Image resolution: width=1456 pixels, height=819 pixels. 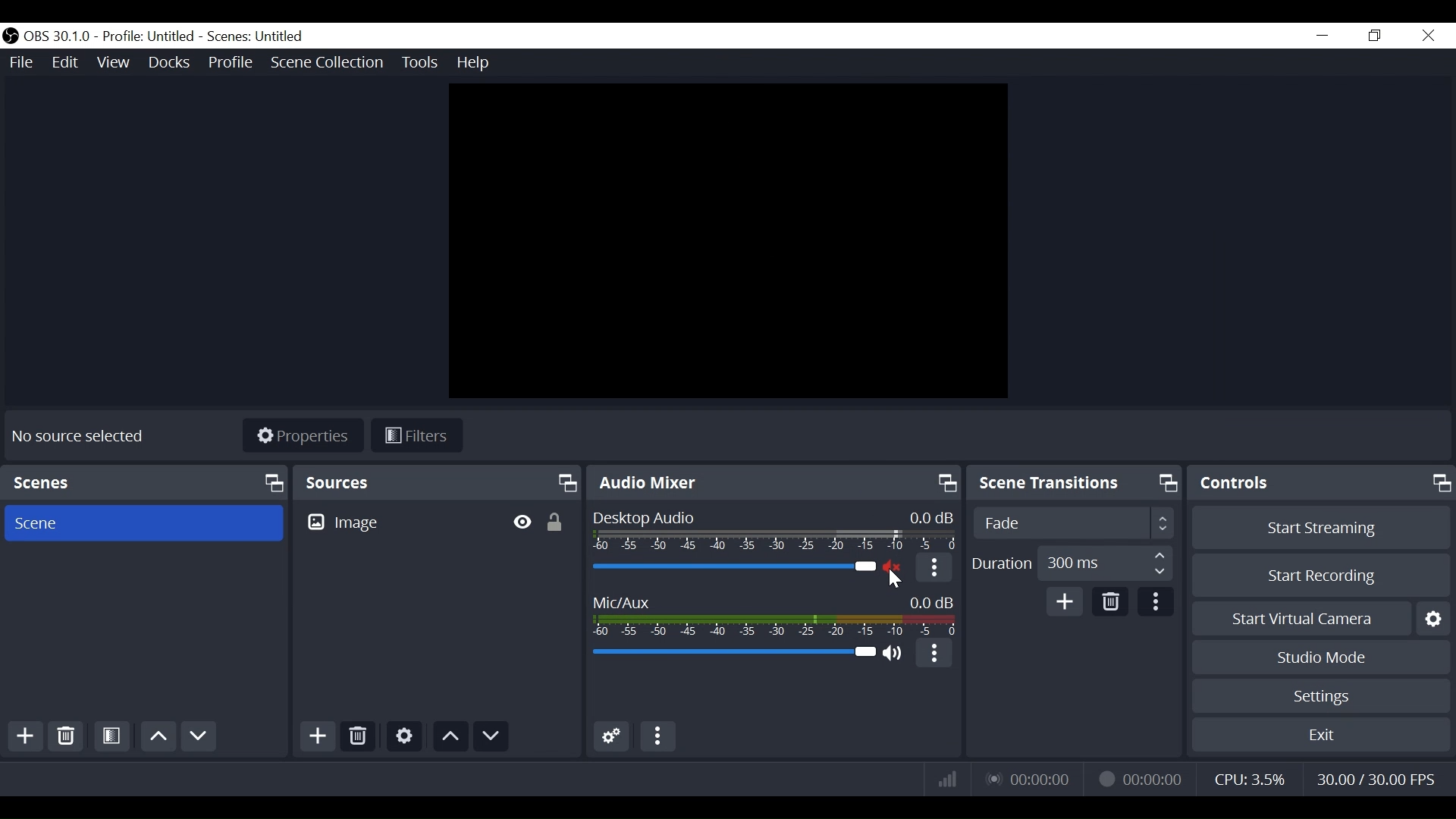 I want to click on Delete, so click(x=66, y=739).